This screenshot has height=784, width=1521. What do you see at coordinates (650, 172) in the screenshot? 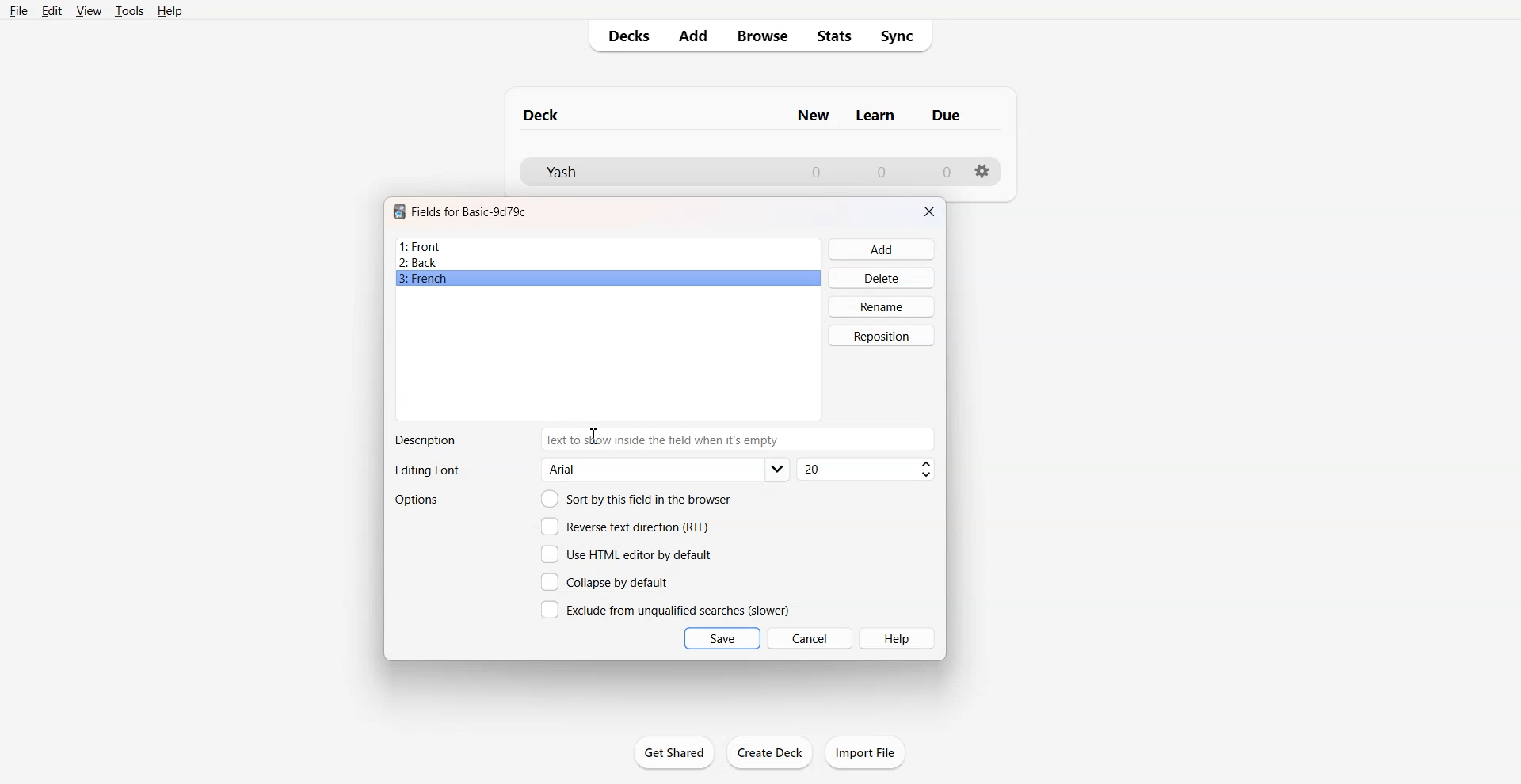
I see `Deck File` at bounding box center [650, 172].